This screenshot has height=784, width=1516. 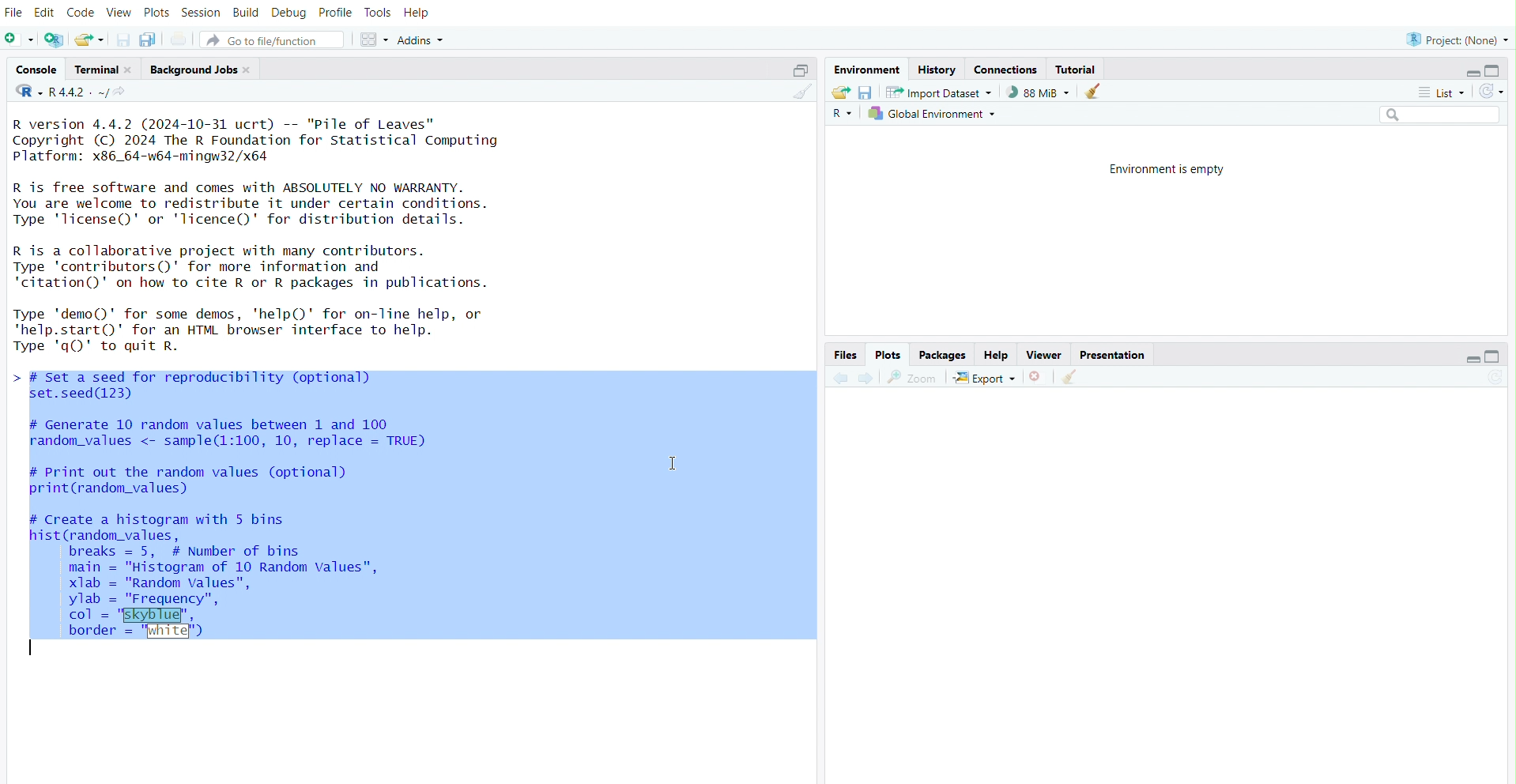 What do you see at coordinates (251, 72) in the screenshot?
I see `close` at bounding box center [251, 72].